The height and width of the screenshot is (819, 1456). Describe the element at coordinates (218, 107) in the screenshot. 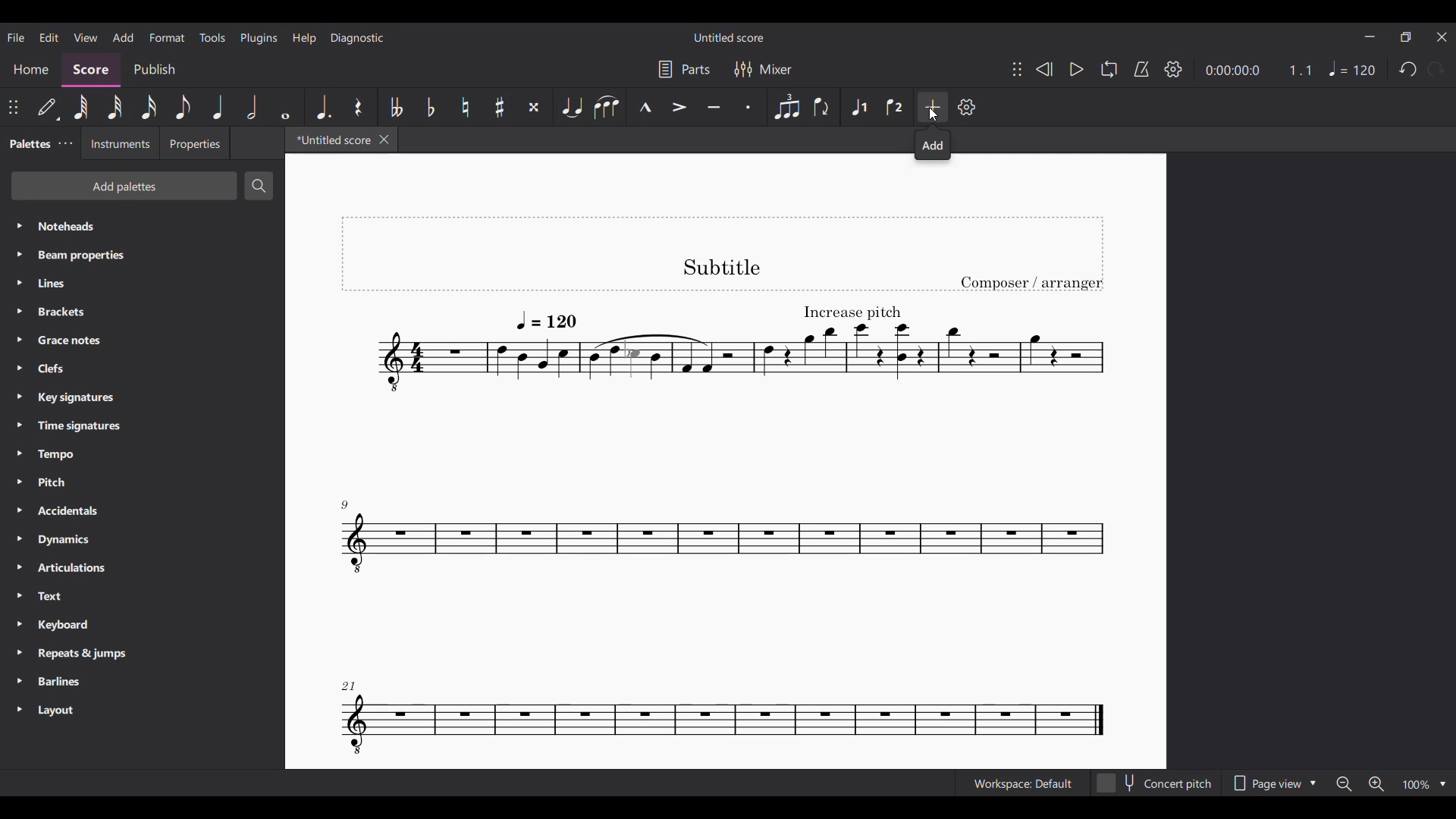

I see `Quarter note` at that location.